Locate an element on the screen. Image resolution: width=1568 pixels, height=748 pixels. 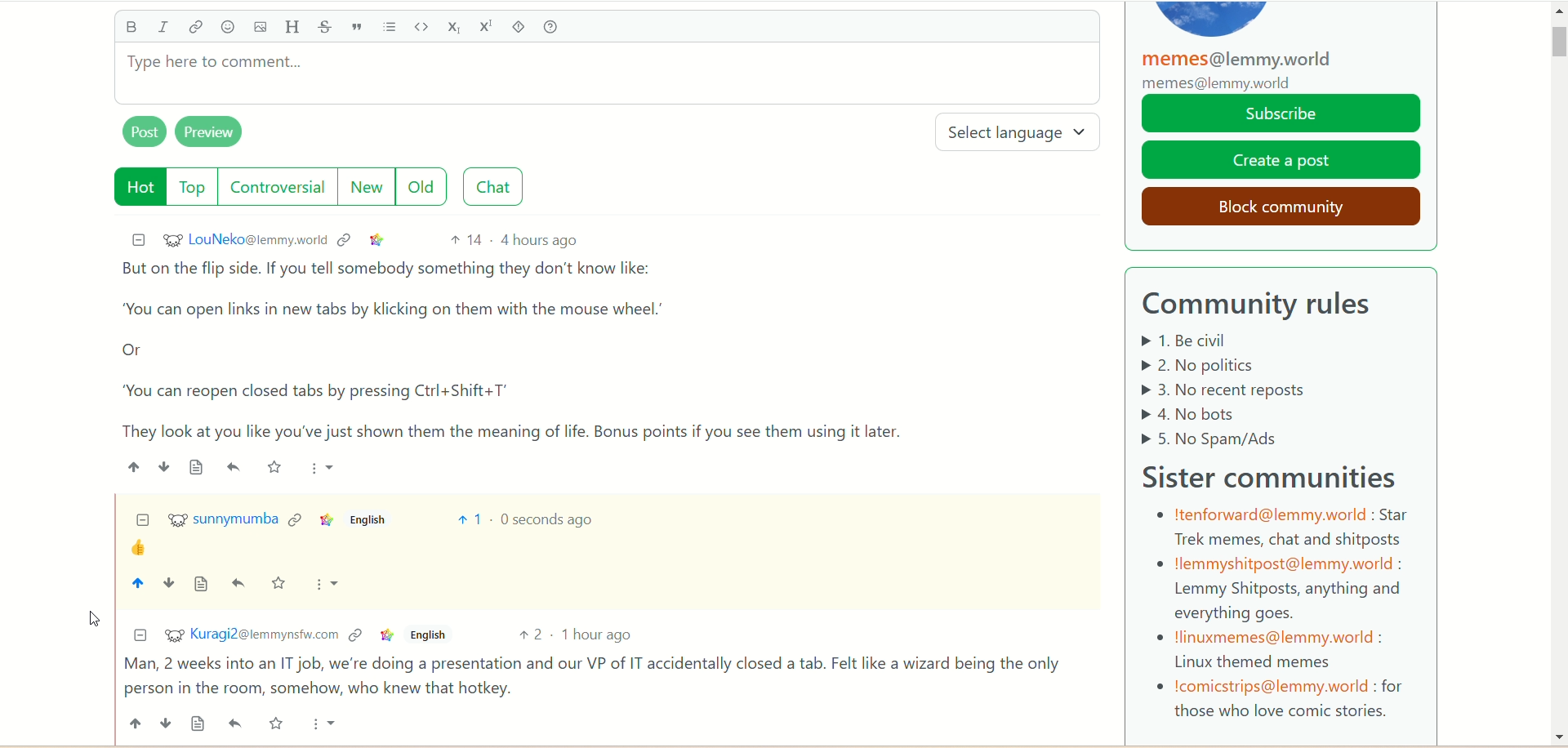
save is located at coordinates (278, 584).